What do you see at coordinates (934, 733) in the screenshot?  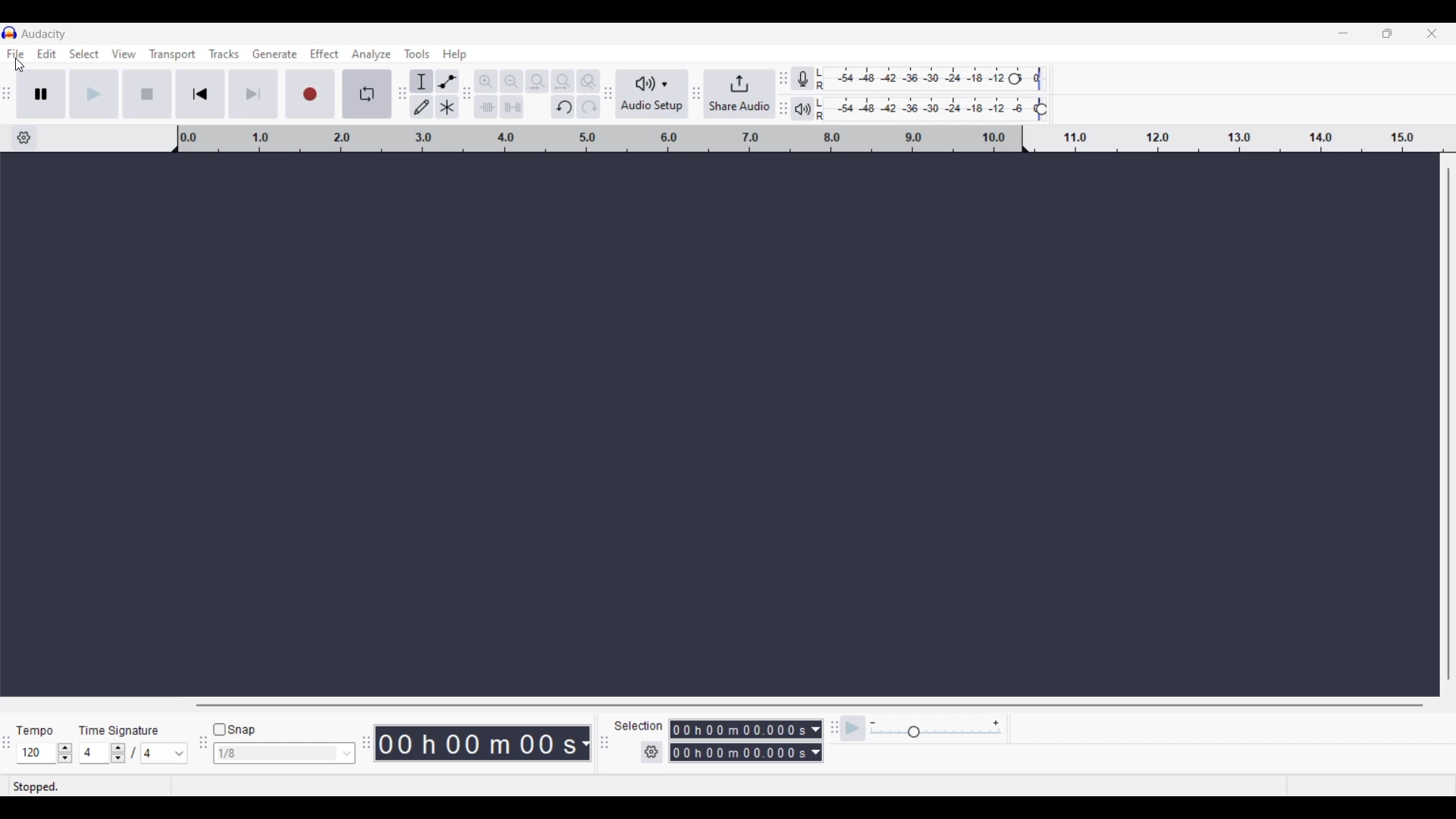 I see `Slider to change playback speed` at bounding box center [934, 733].